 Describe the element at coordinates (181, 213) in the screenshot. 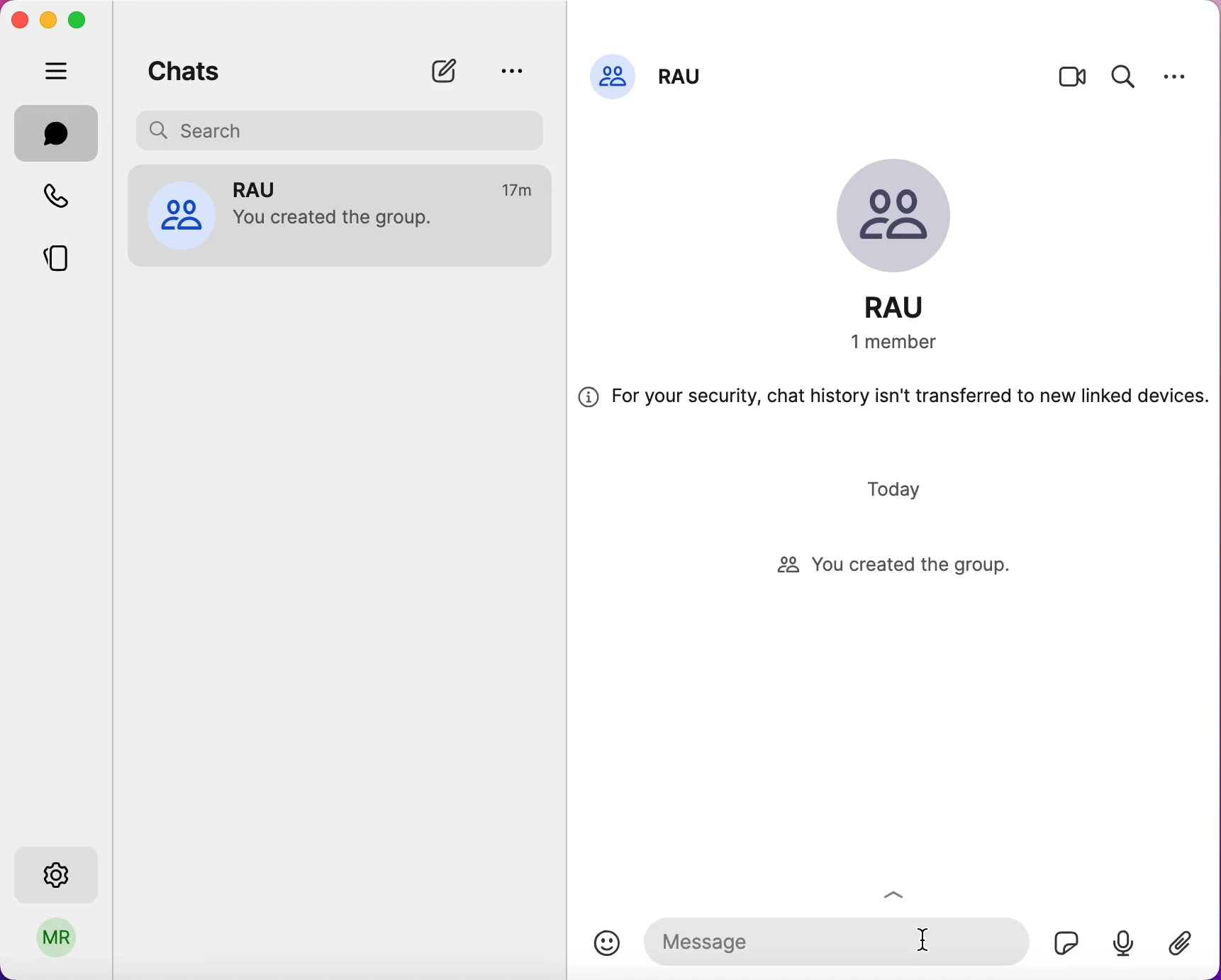

I see `profile picture` at that location.